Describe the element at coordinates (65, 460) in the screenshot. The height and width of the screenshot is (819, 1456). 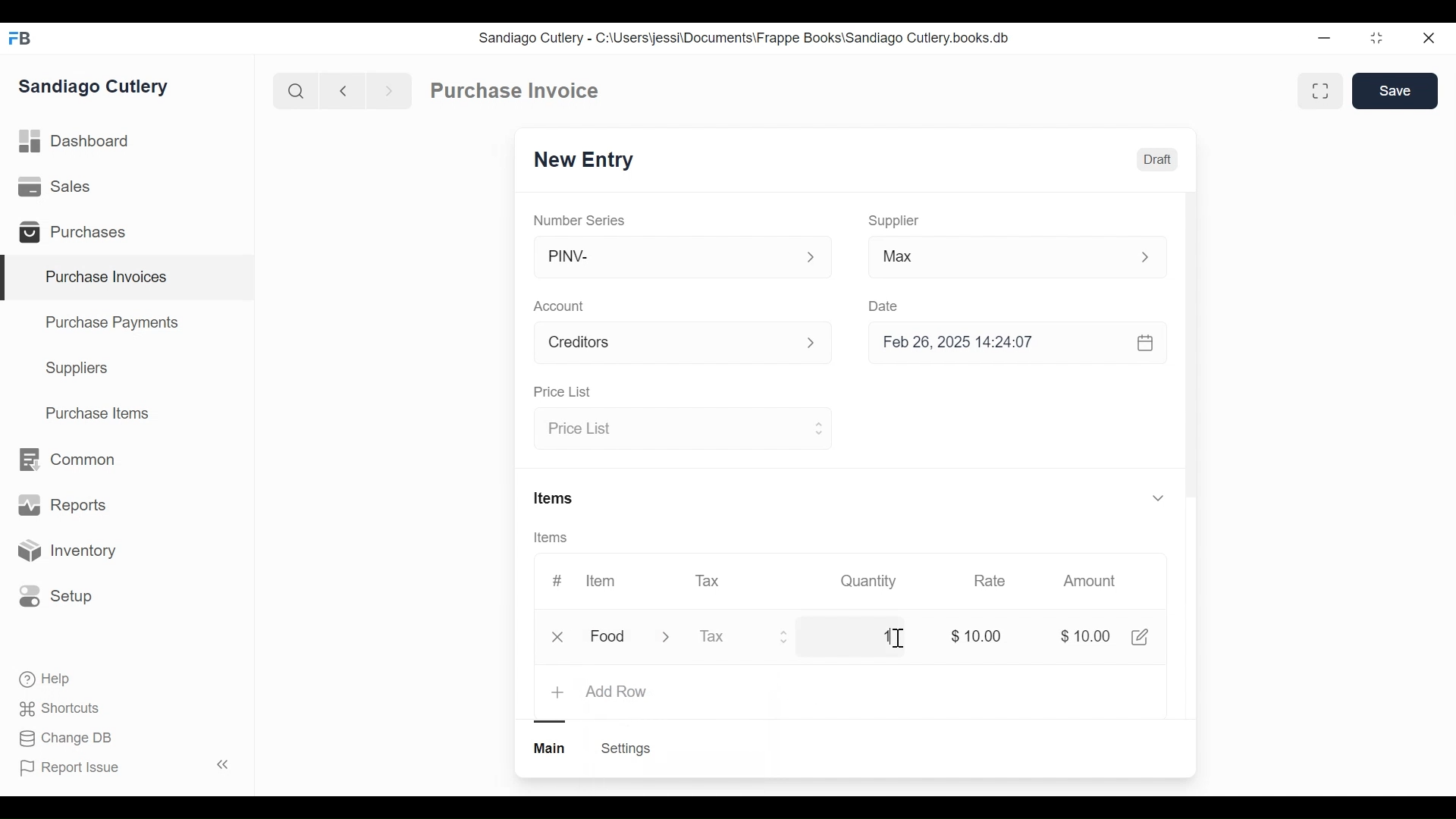
I see `Common` at that location.